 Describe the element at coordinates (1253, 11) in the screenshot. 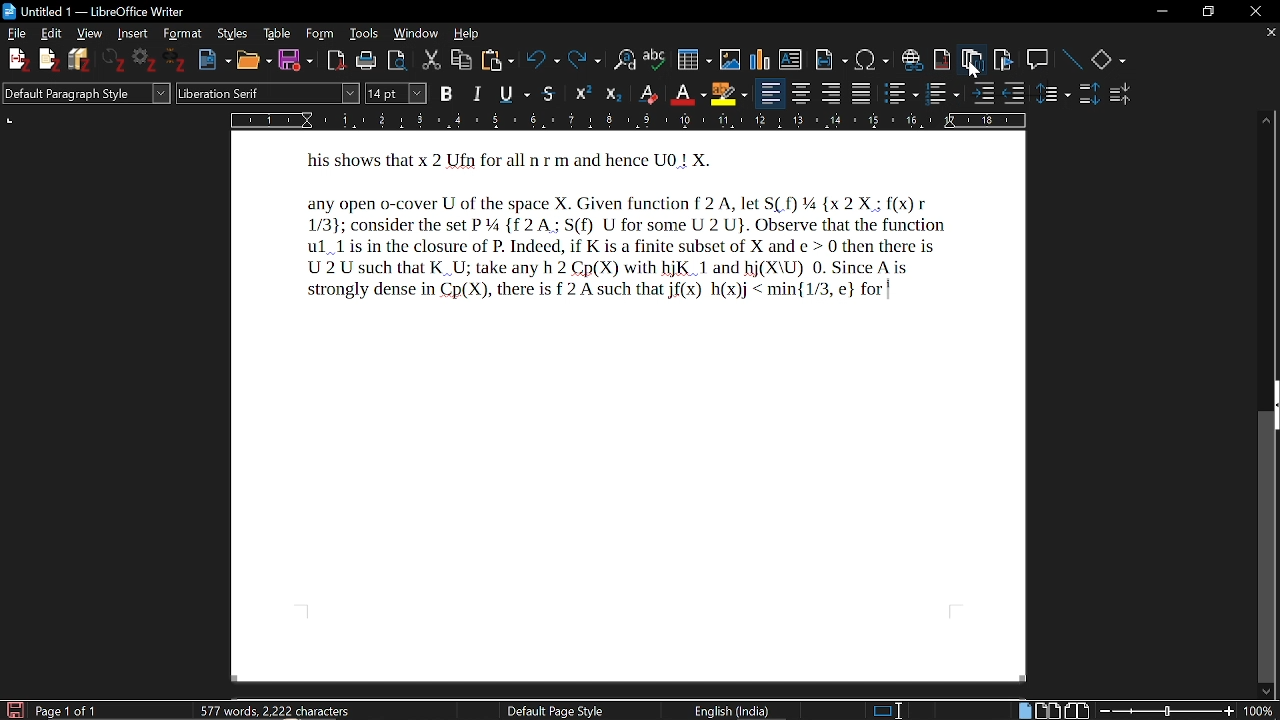

I see `Close` at that location.